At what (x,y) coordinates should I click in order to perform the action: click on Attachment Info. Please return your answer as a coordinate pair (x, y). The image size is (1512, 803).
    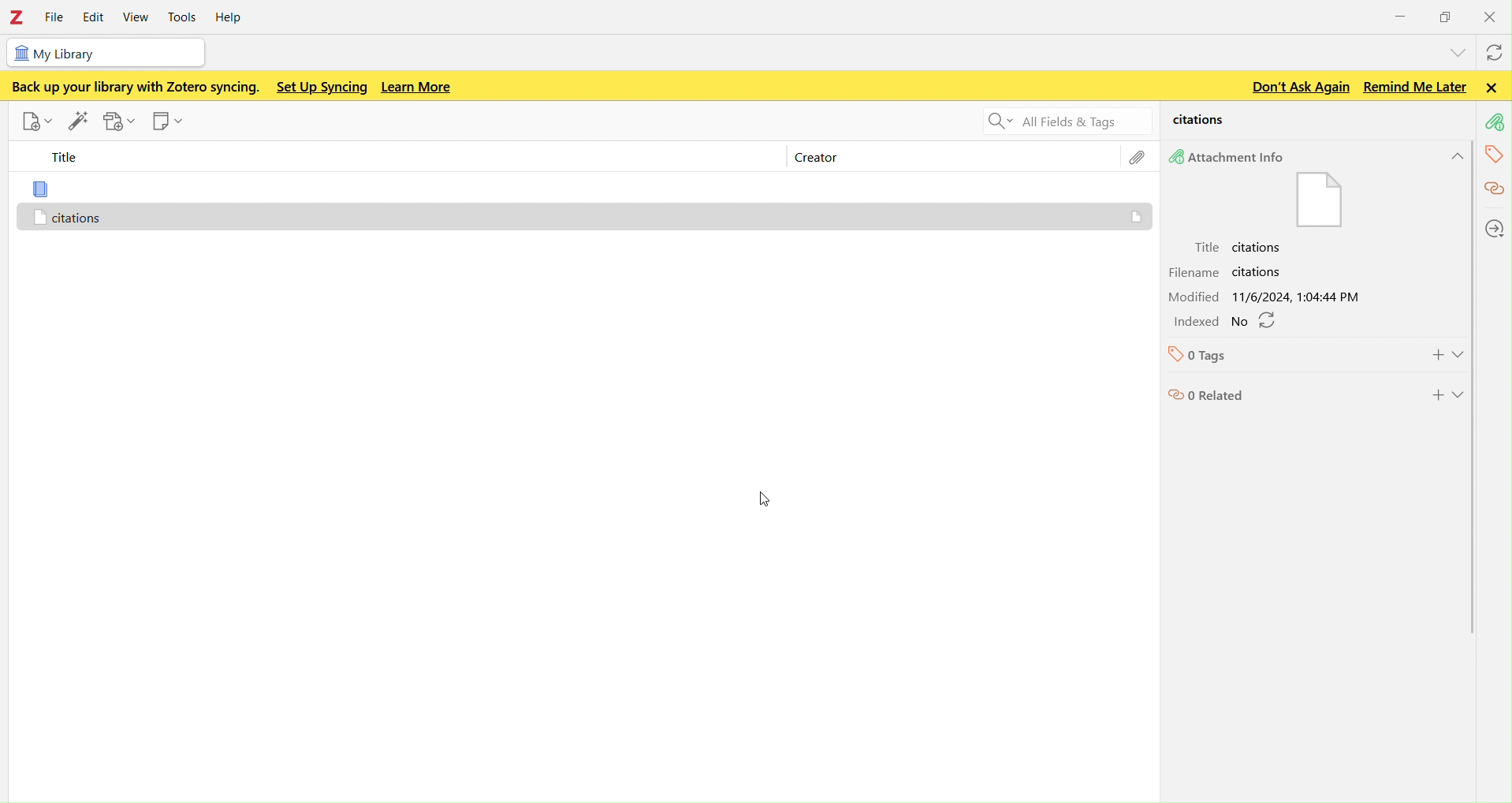
    Looking at the image, I should click on (1227, 155).